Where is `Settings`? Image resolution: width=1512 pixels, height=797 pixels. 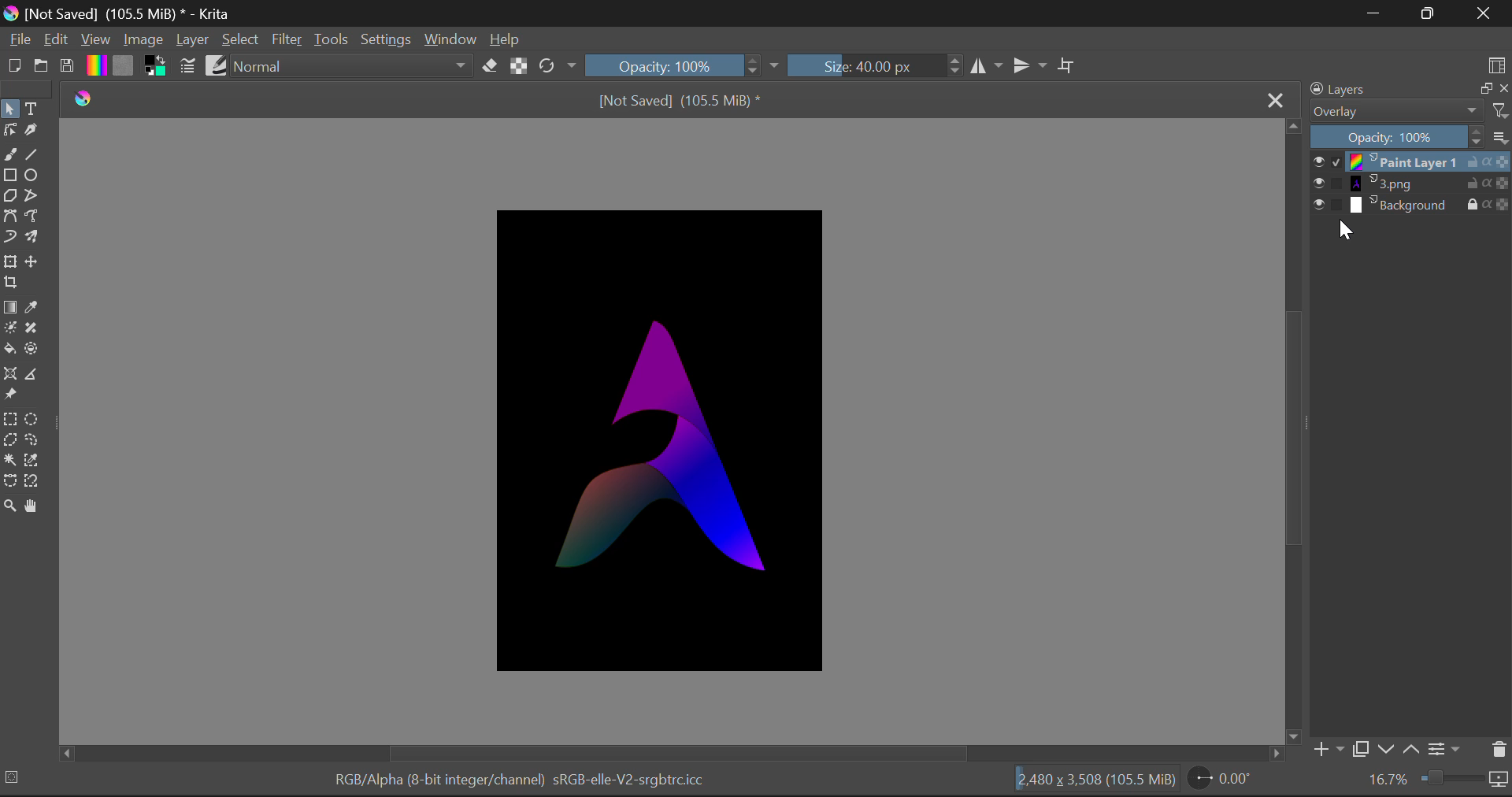 Settings is located at coordinates (388, 40).